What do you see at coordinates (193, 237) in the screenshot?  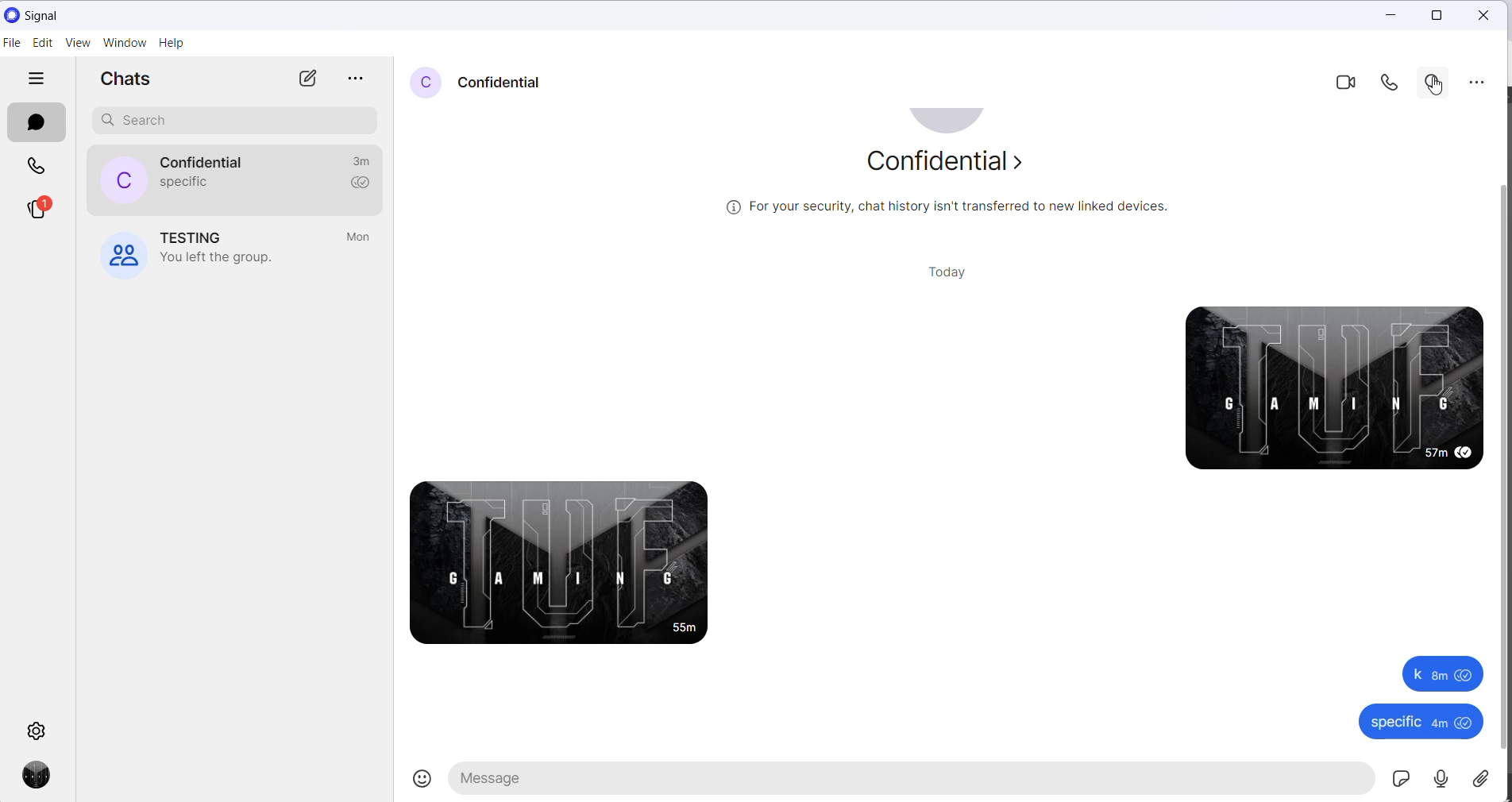 I see `group name` at bounding box center [193, 237].